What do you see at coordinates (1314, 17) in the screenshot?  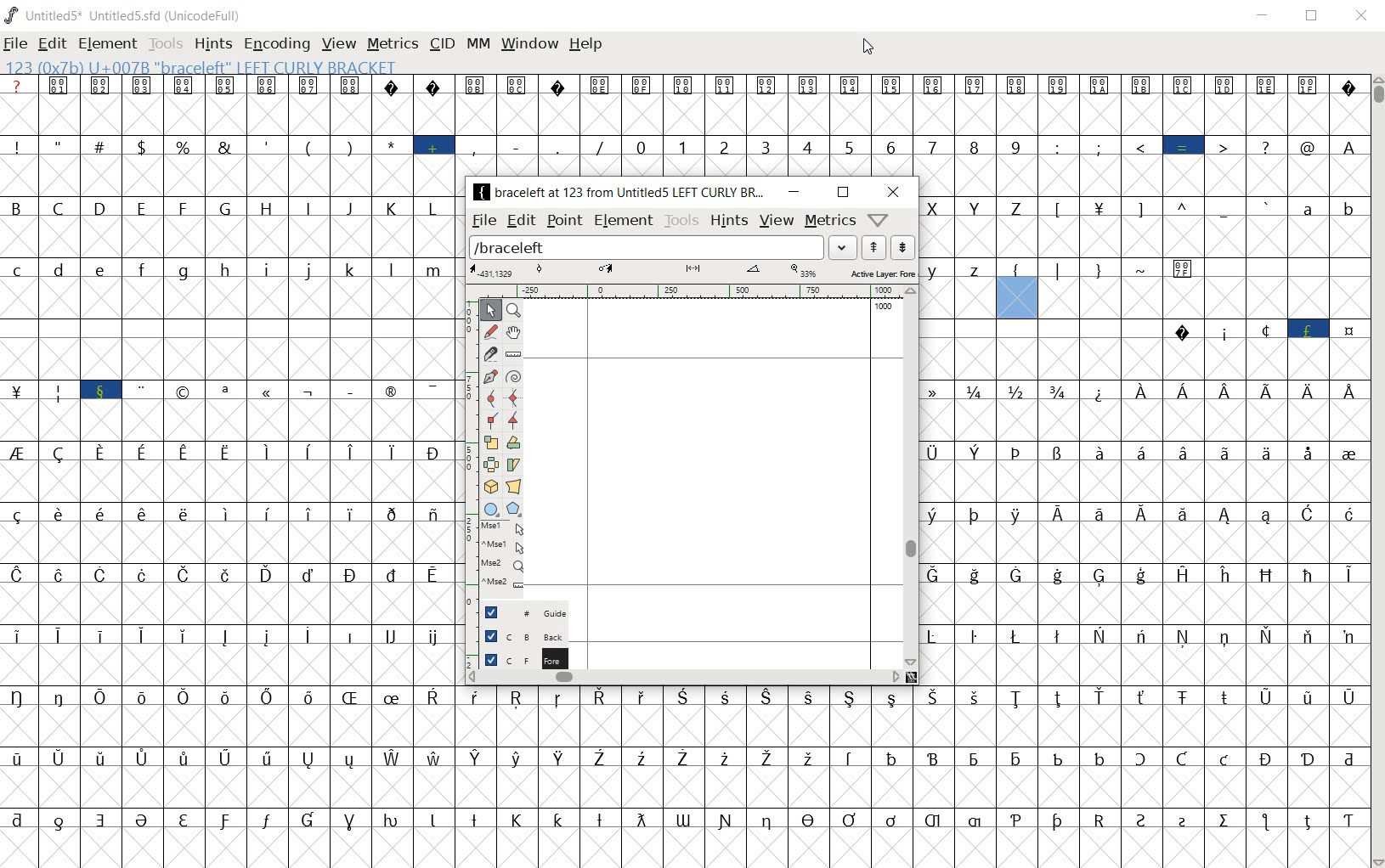 I see `restore down` at bounding box center [1314, 17].